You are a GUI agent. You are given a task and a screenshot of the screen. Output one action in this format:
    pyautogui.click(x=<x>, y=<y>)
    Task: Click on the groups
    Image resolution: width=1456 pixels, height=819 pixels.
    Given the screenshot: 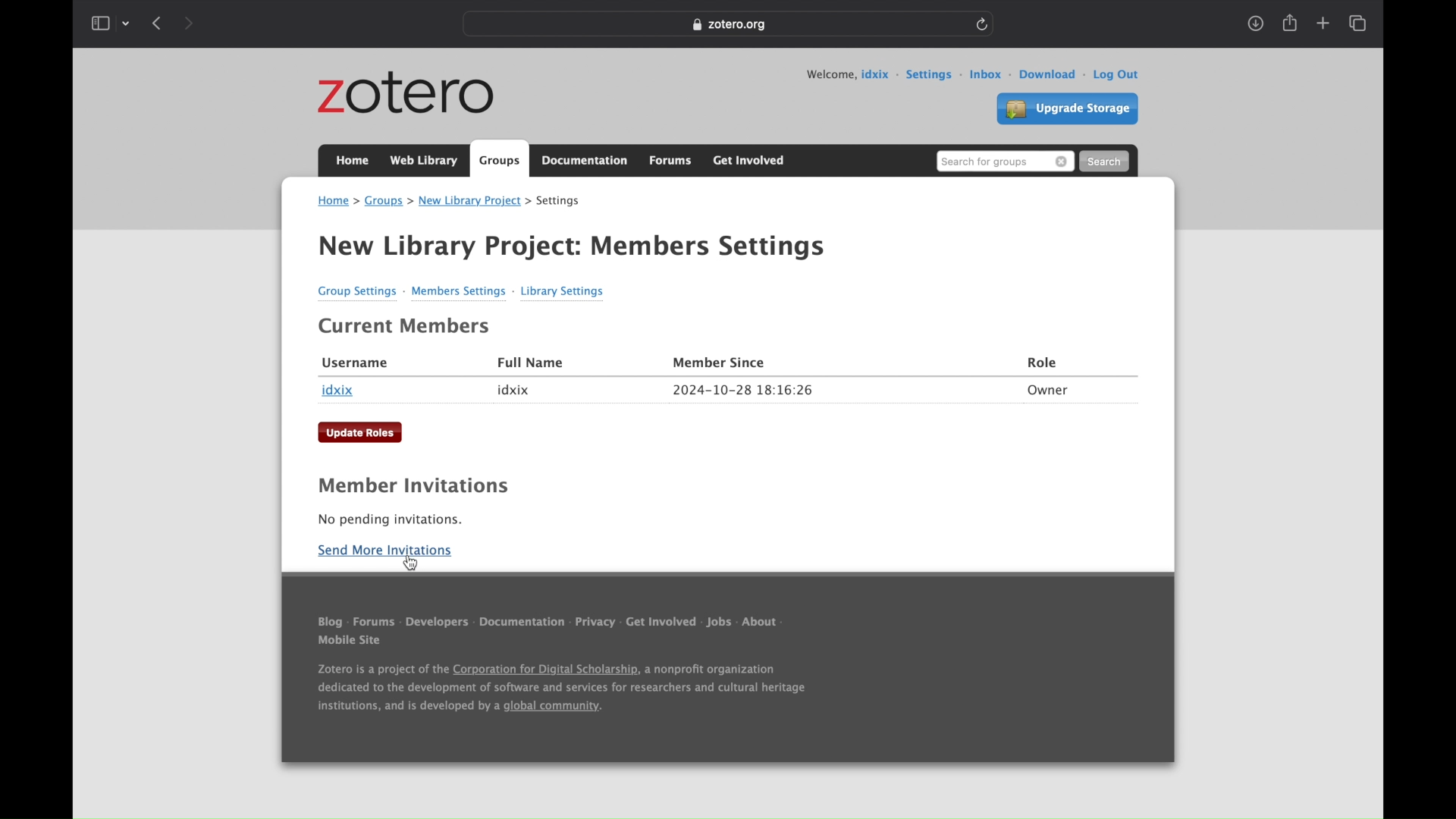 What is the action you would take?
    pyautogui.click(x=500, y=159)
    